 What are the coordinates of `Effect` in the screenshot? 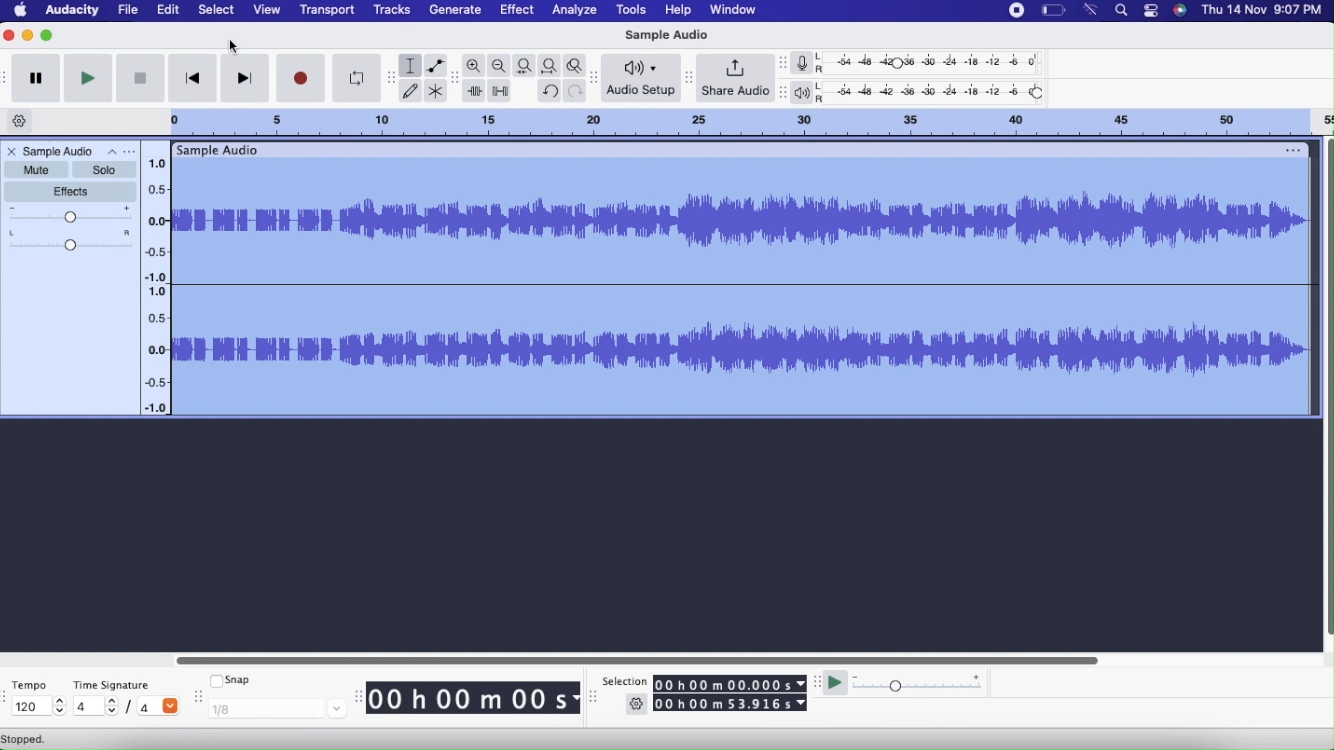 It's located at (516, 11).